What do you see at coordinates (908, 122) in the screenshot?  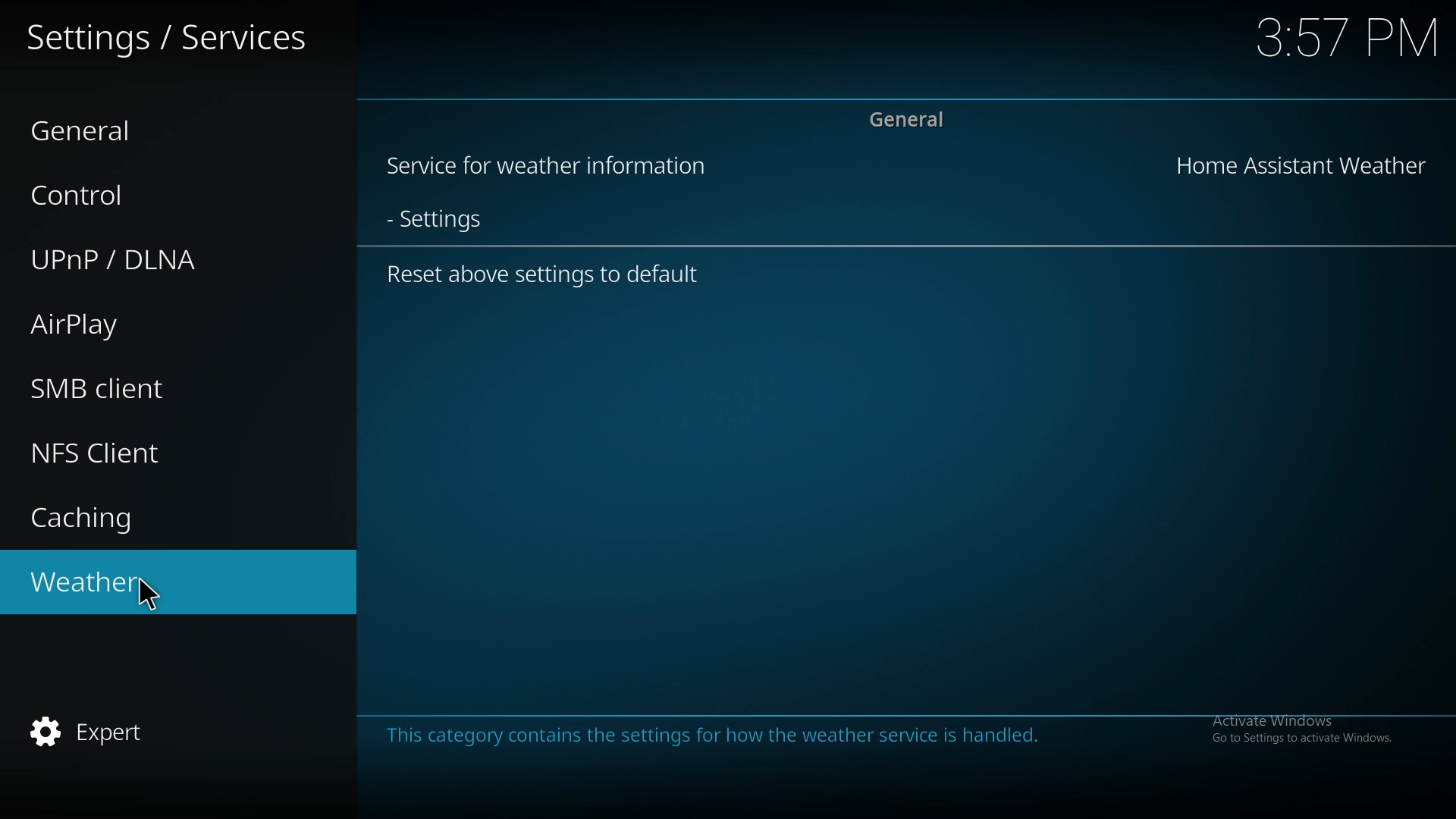 I see `general` at bounding box center [908, 122].